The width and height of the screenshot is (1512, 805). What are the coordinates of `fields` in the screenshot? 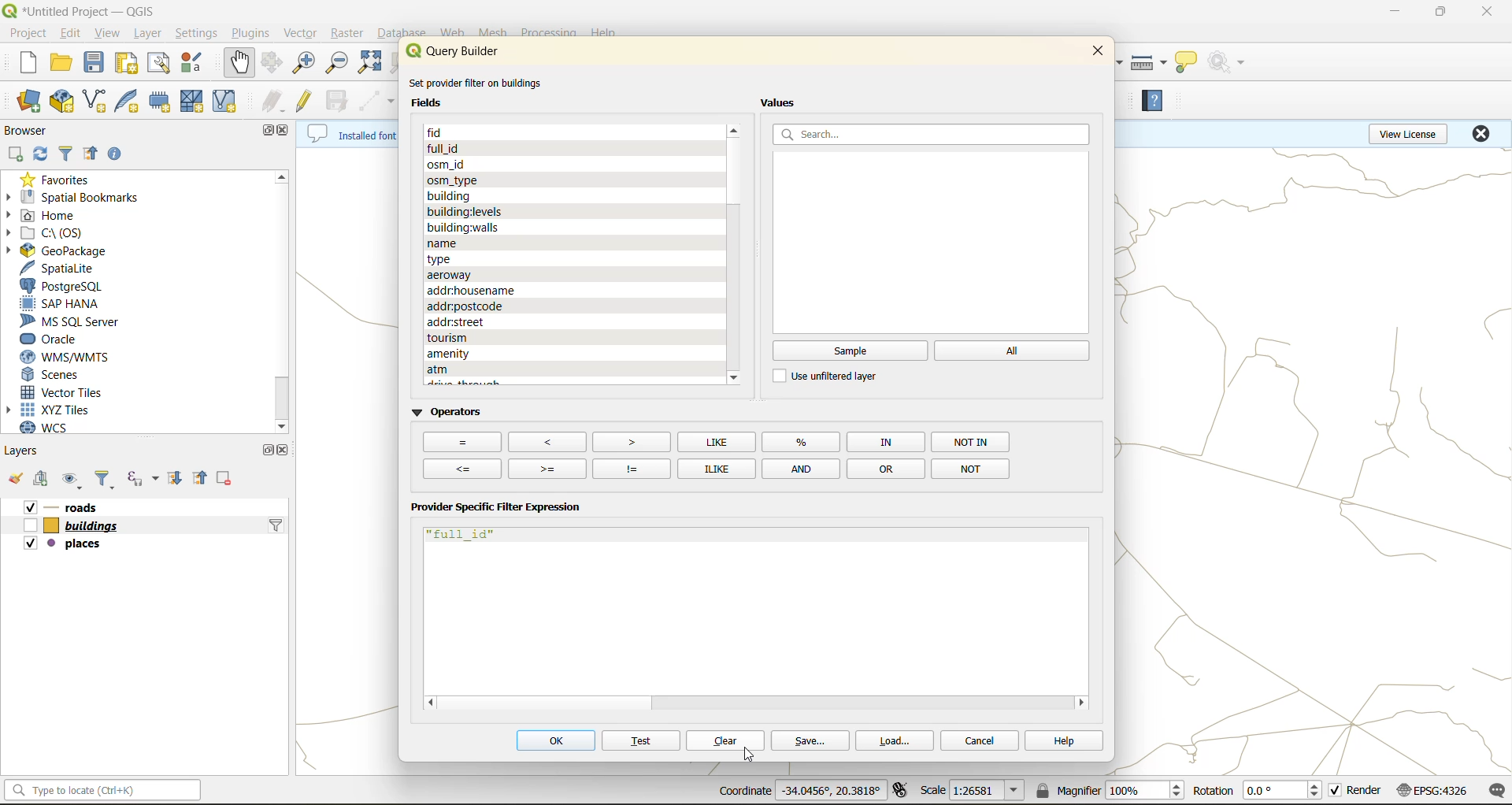 It's located at (446, 257).